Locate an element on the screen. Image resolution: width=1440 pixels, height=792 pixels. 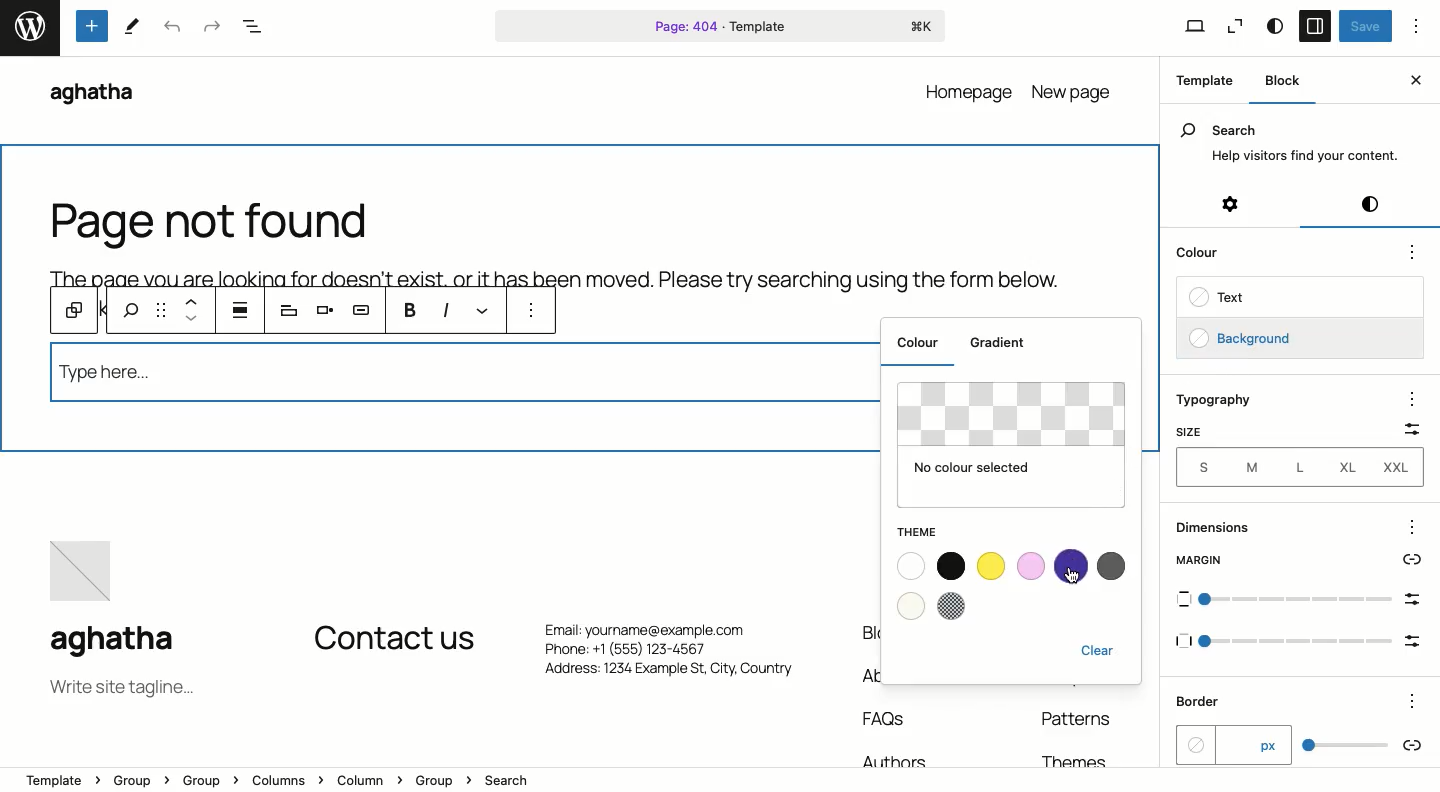
cursor is located at coordinates (1071, 576).